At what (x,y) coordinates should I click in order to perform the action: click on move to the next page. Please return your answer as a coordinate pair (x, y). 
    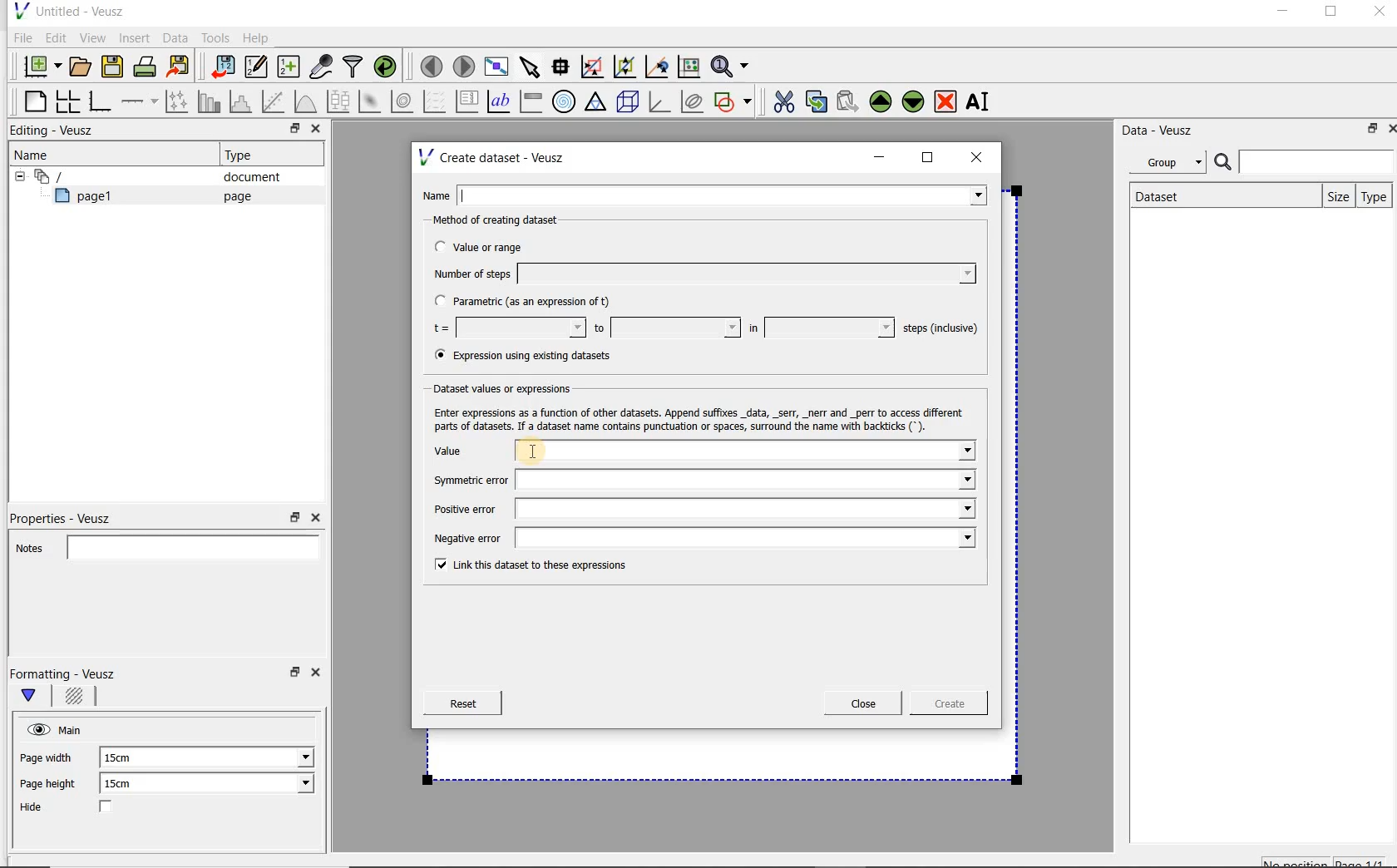
    Looking at the image, I should click on (464, 67).